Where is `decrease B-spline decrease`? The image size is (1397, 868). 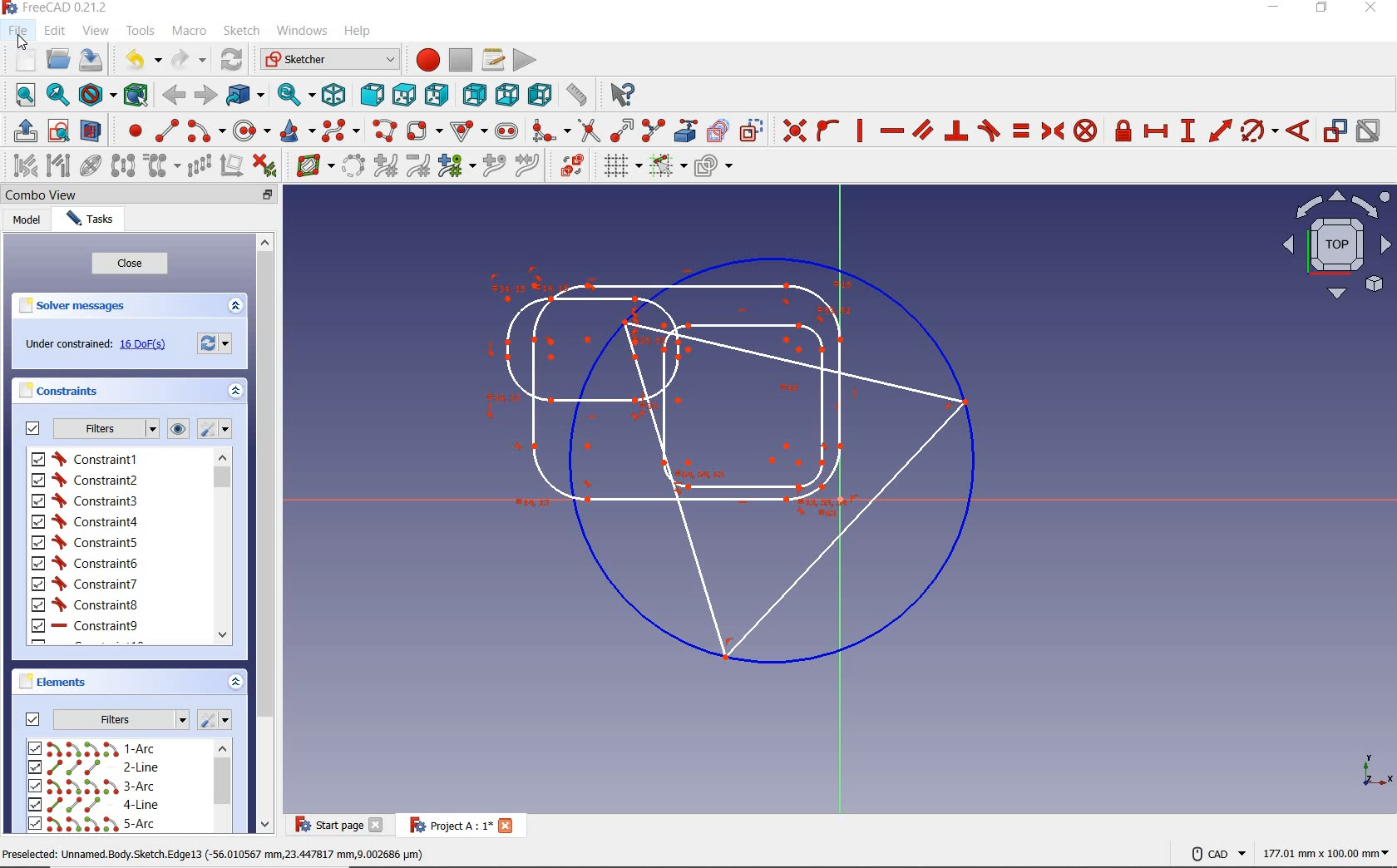 decrease B-spline decrease is located at coordinates (419, 167).